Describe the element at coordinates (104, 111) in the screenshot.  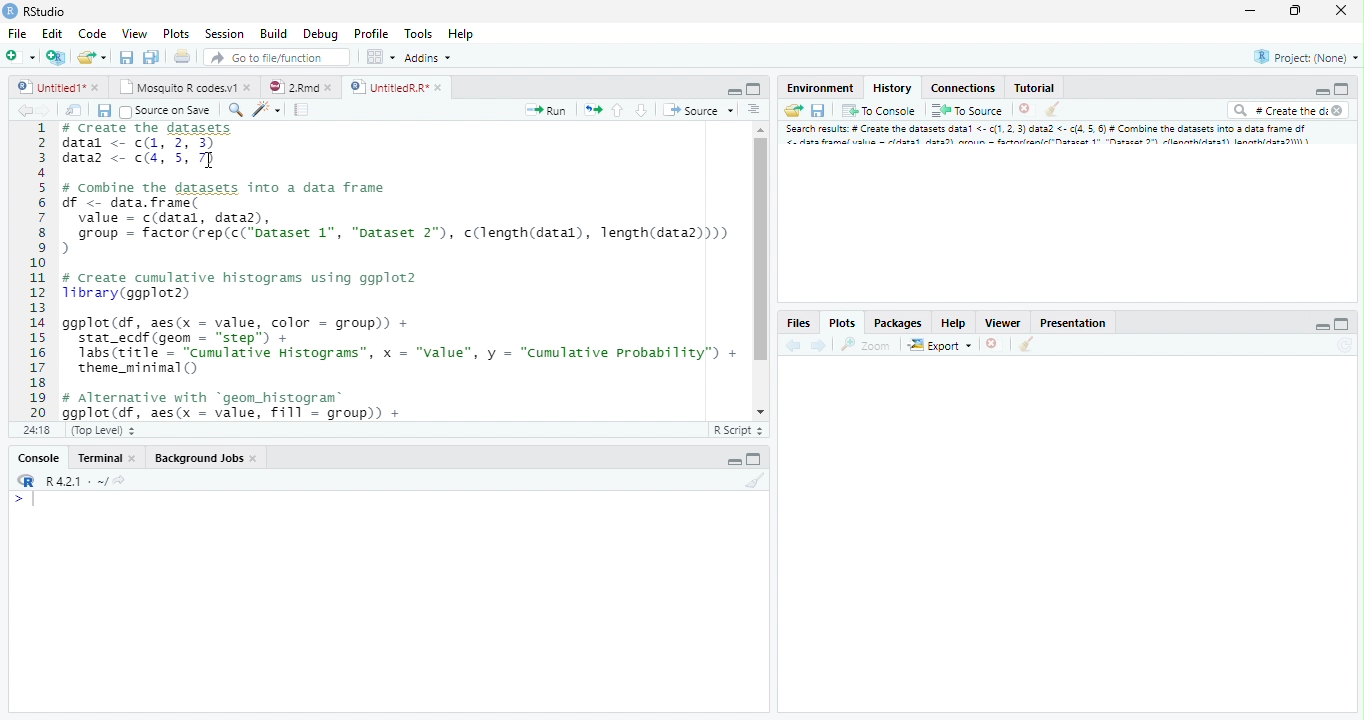
I see `Save` at that location.